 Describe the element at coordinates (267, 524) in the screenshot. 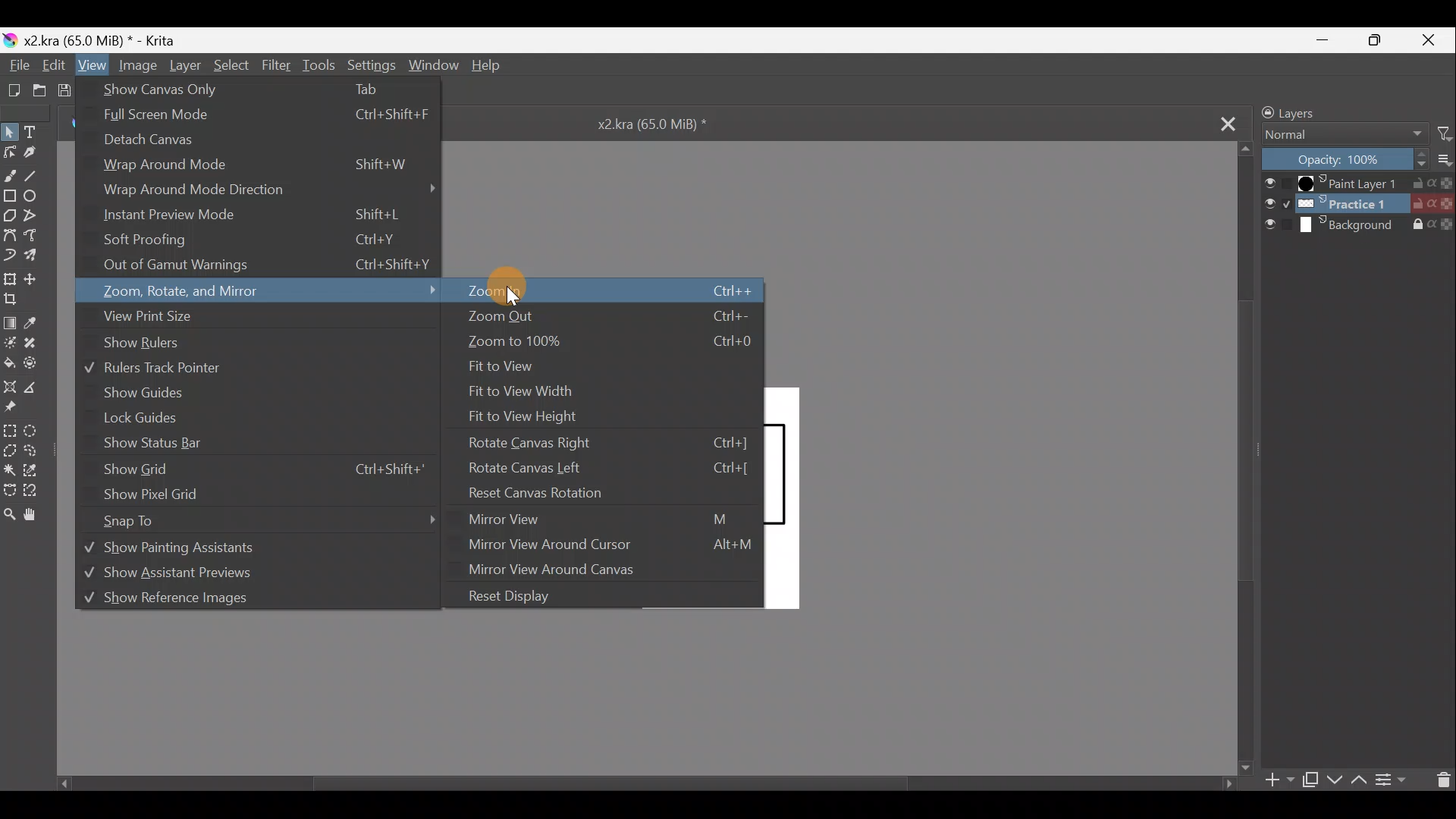

I see `Snap to` at that location.